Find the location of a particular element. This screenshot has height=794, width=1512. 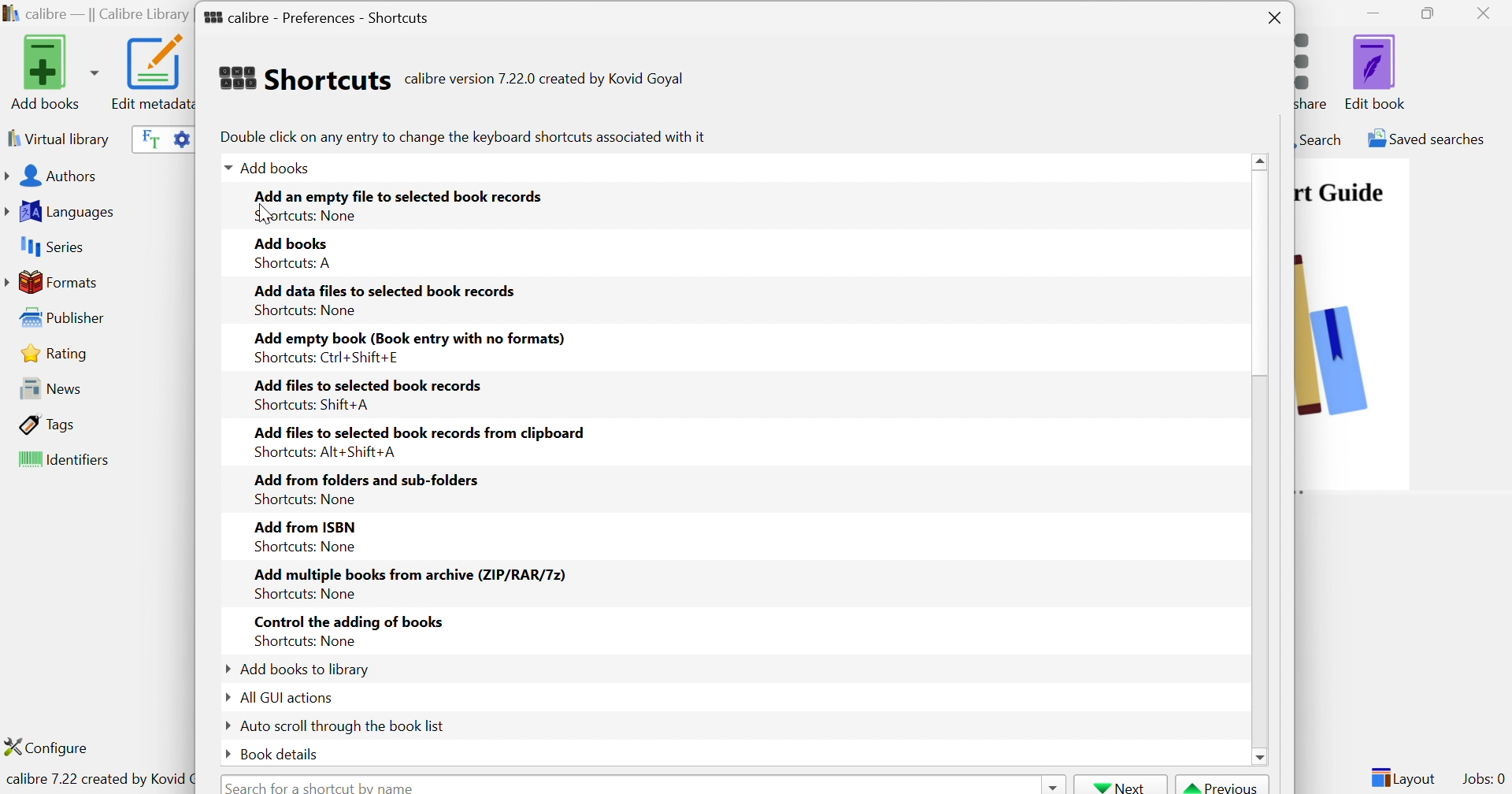

Shortcuts is located at coordinates (303, 78).